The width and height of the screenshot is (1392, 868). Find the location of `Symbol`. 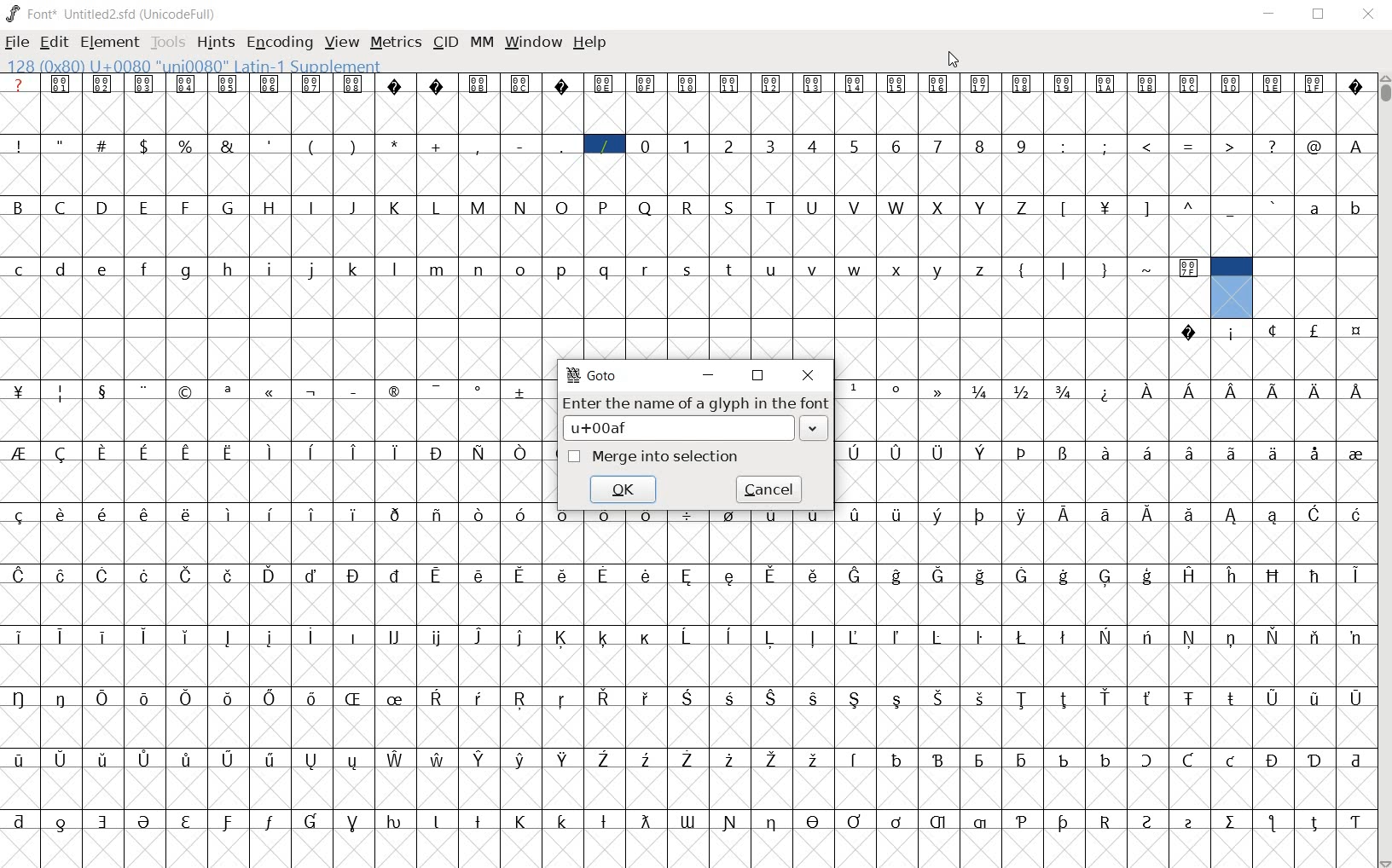

Symbol is located at coordinates (1024, 698).